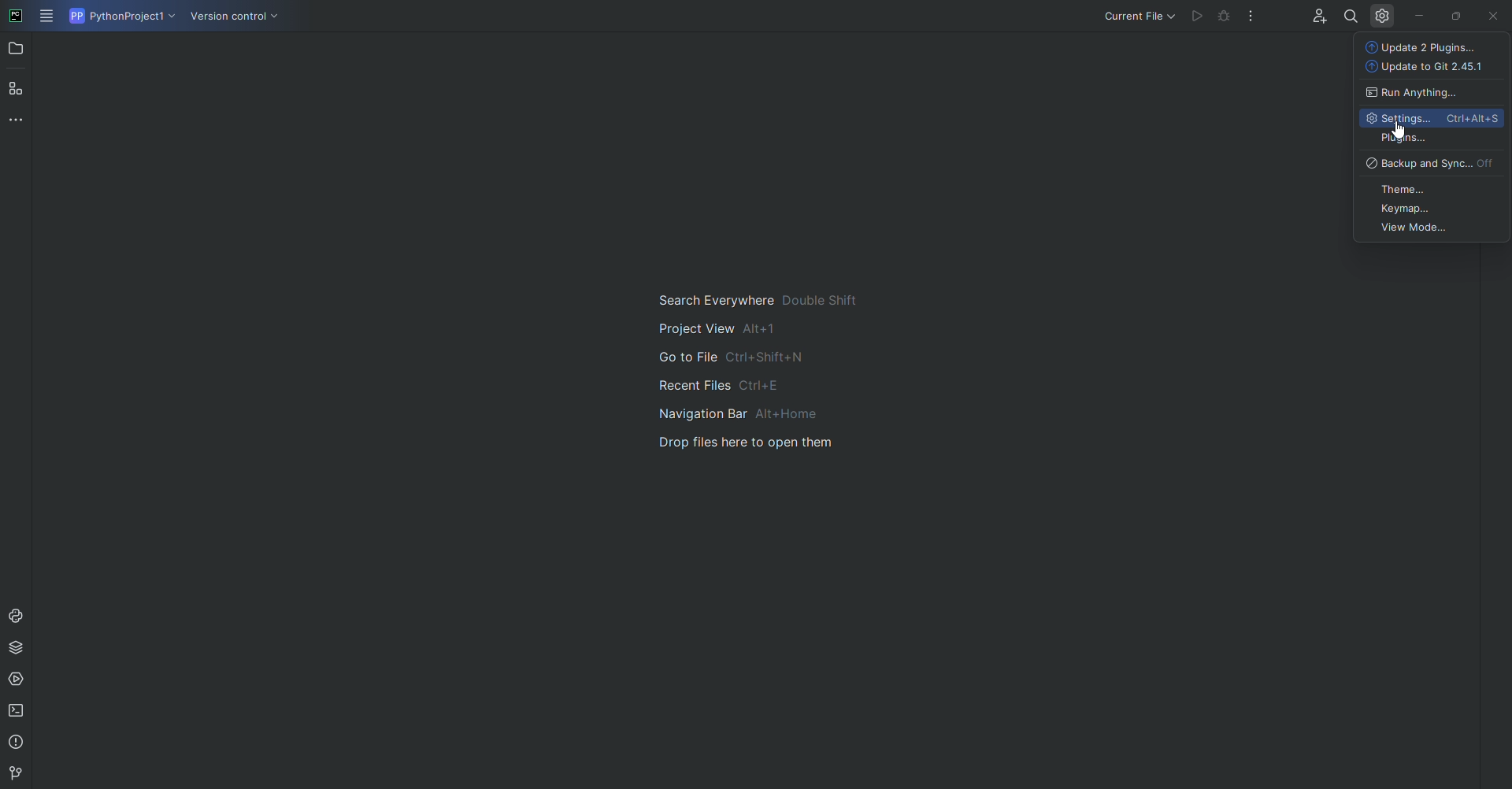 Image resolution: width=1512 pixels, height=789 pixels. I want to click on More Tools, so click(20, 119).